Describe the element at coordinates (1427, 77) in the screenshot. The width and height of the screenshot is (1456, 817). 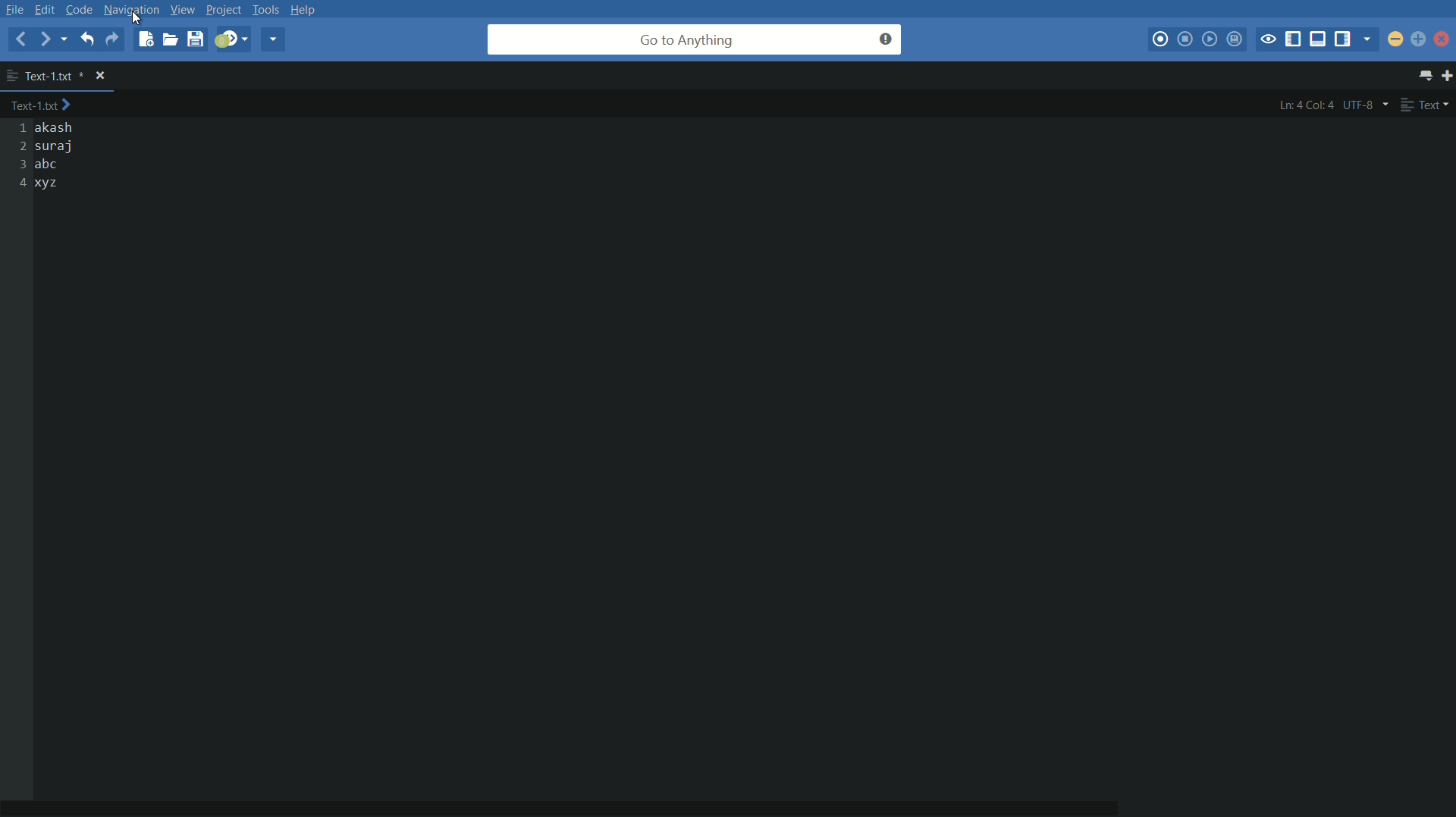
I see `show all tabs` at that location.